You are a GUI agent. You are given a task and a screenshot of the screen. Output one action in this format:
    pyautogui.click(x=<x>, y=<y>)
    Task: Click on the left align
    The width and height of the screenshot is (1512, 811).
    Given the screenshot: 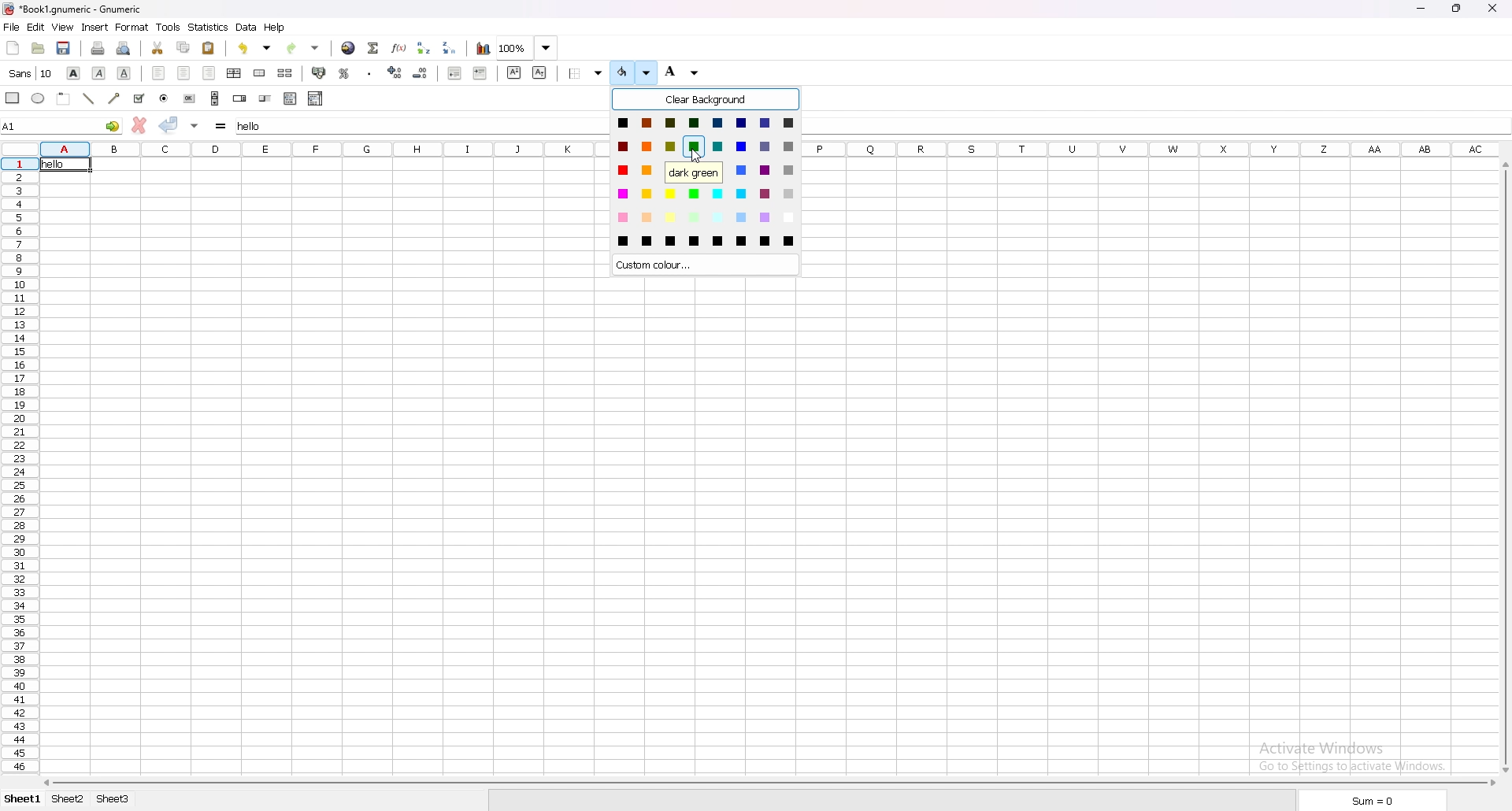 What is the action you would take?
    pyautogui.click(x=161, y=72)
    